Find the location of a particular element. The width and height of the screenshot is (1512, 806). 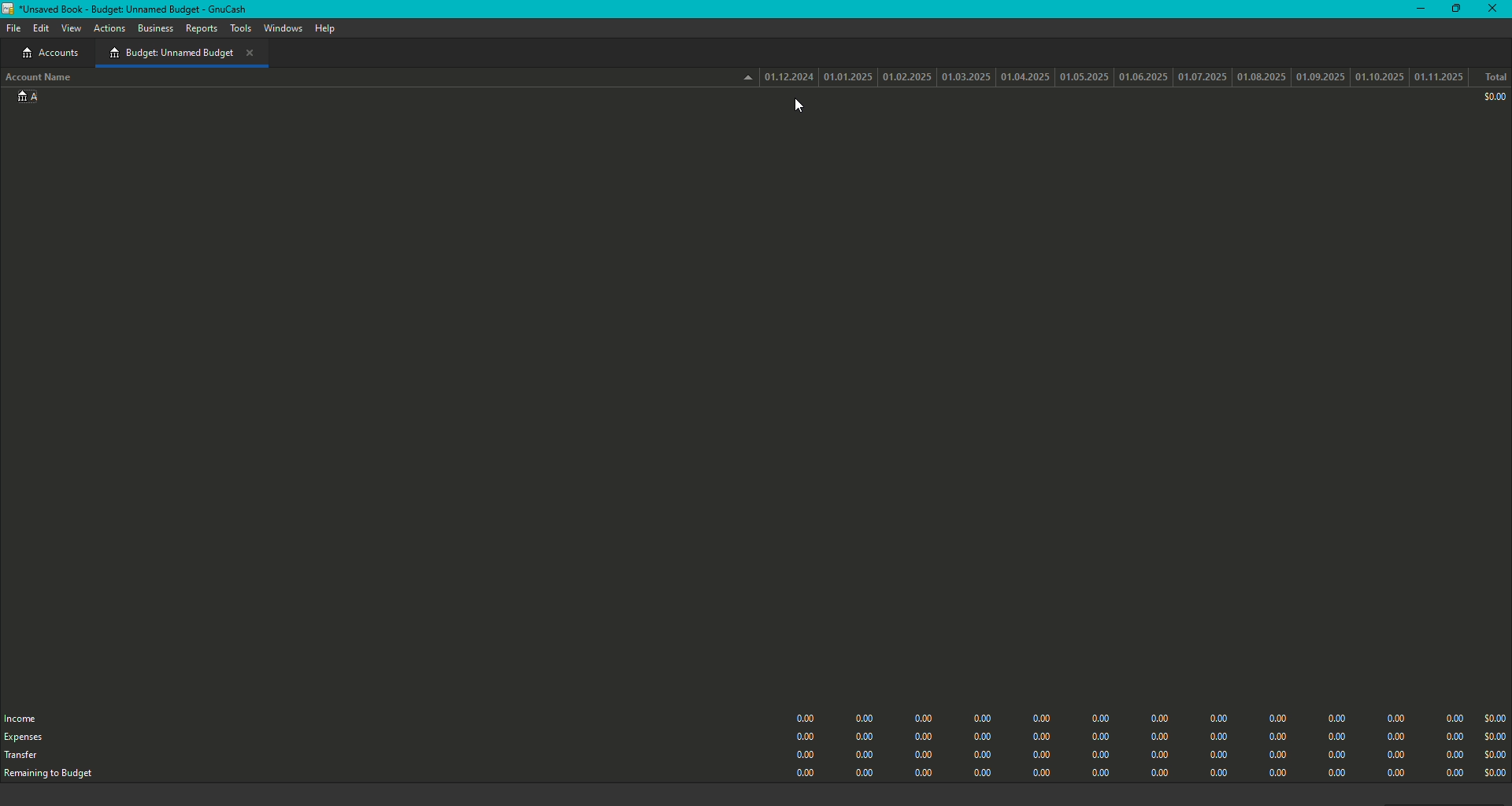

Total is located at coordinates (1495, 78).